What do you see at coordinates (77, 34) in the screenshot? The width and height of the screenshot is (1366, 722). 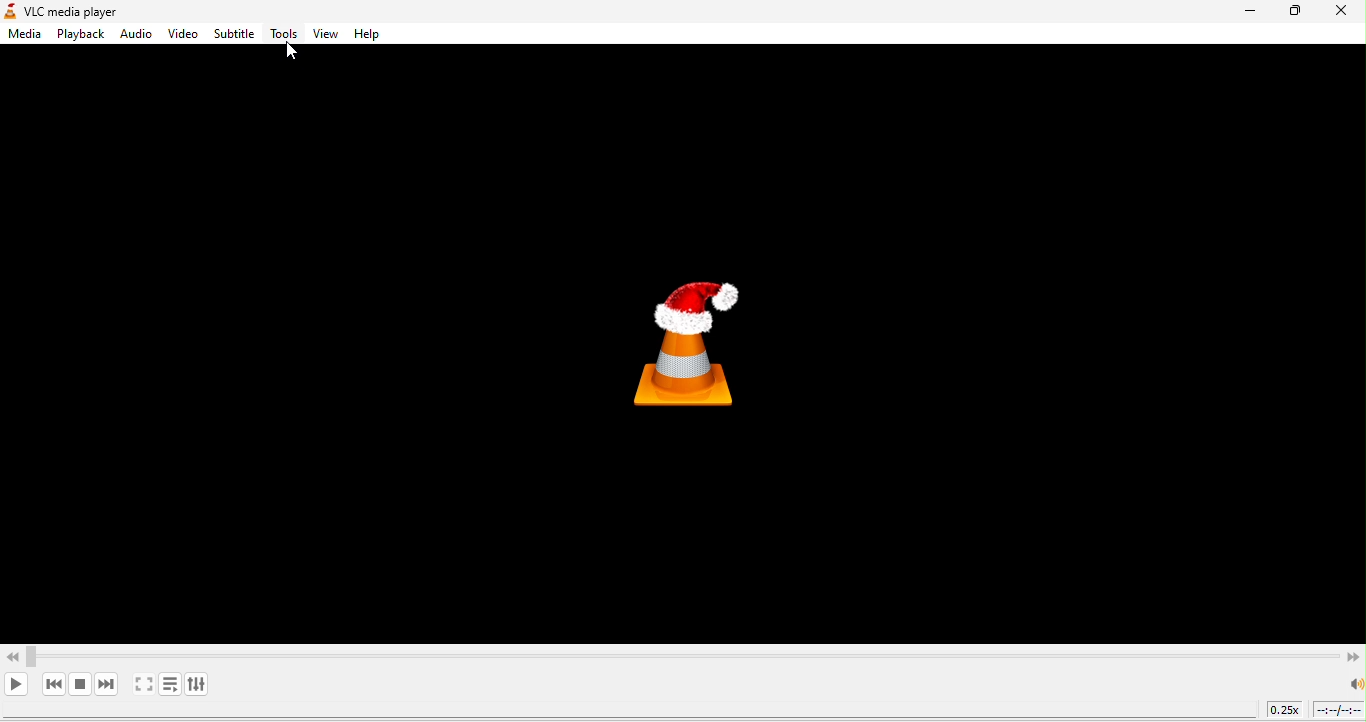 I see `playback` at bounding box center [77, 34].